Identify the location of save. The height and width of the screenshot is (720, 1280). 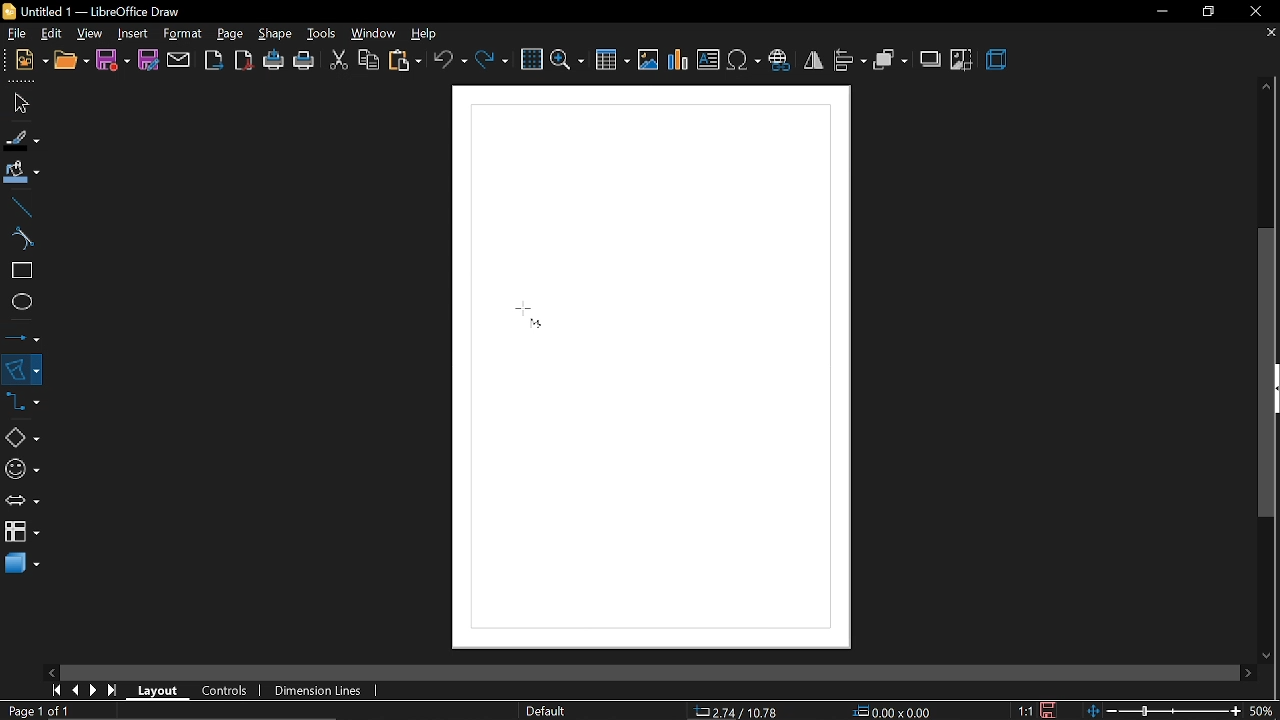
(1054, 708).